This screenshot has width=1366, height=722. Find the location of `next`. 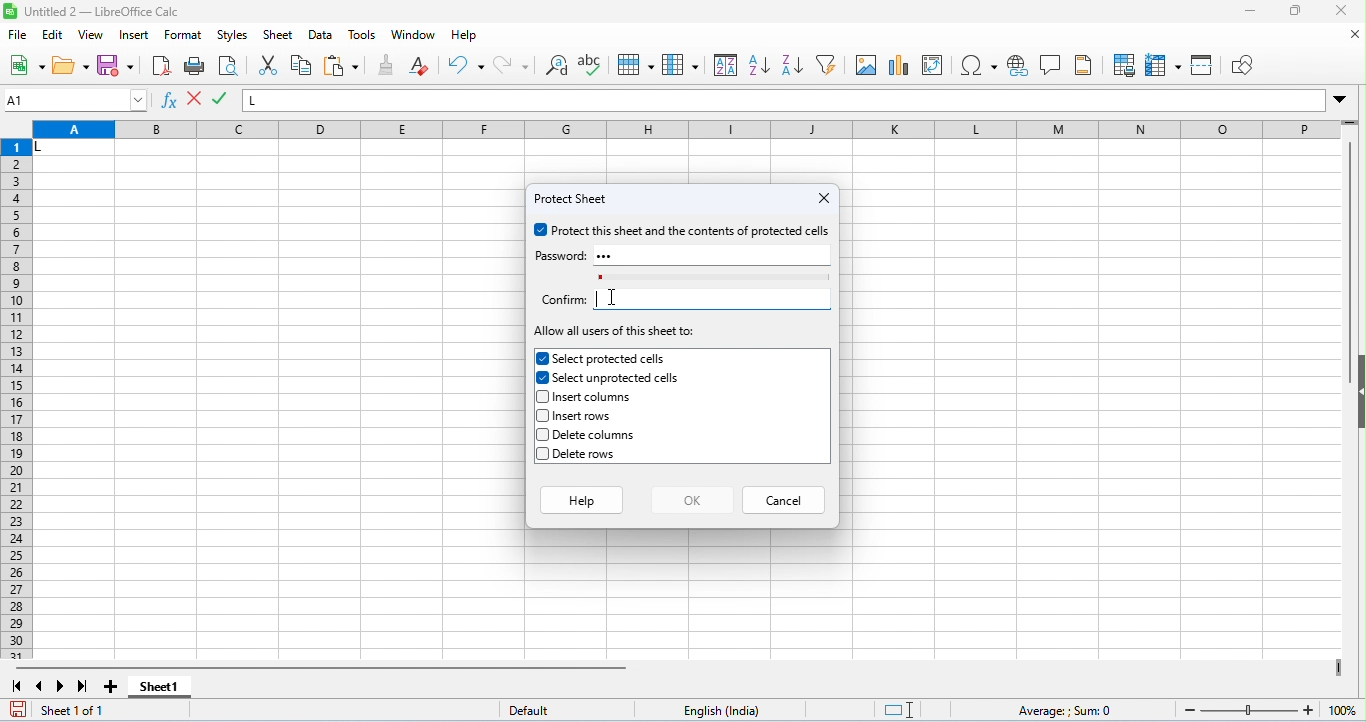

next is located at coordinates (61, 686).